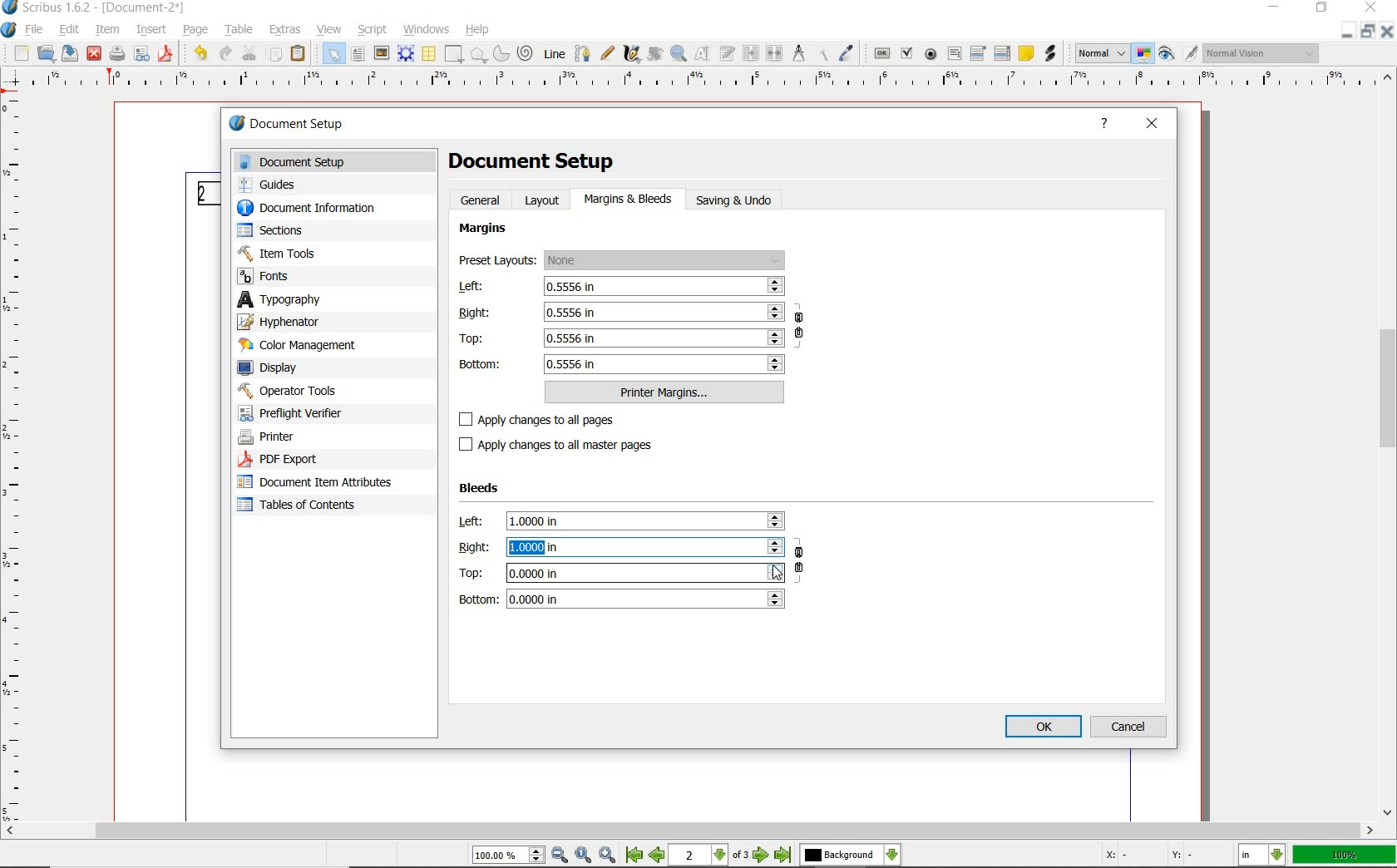  What do you see at coordinates (380, 54) in the screenshot?
I see `image frame` at bounding box center [380, 54].